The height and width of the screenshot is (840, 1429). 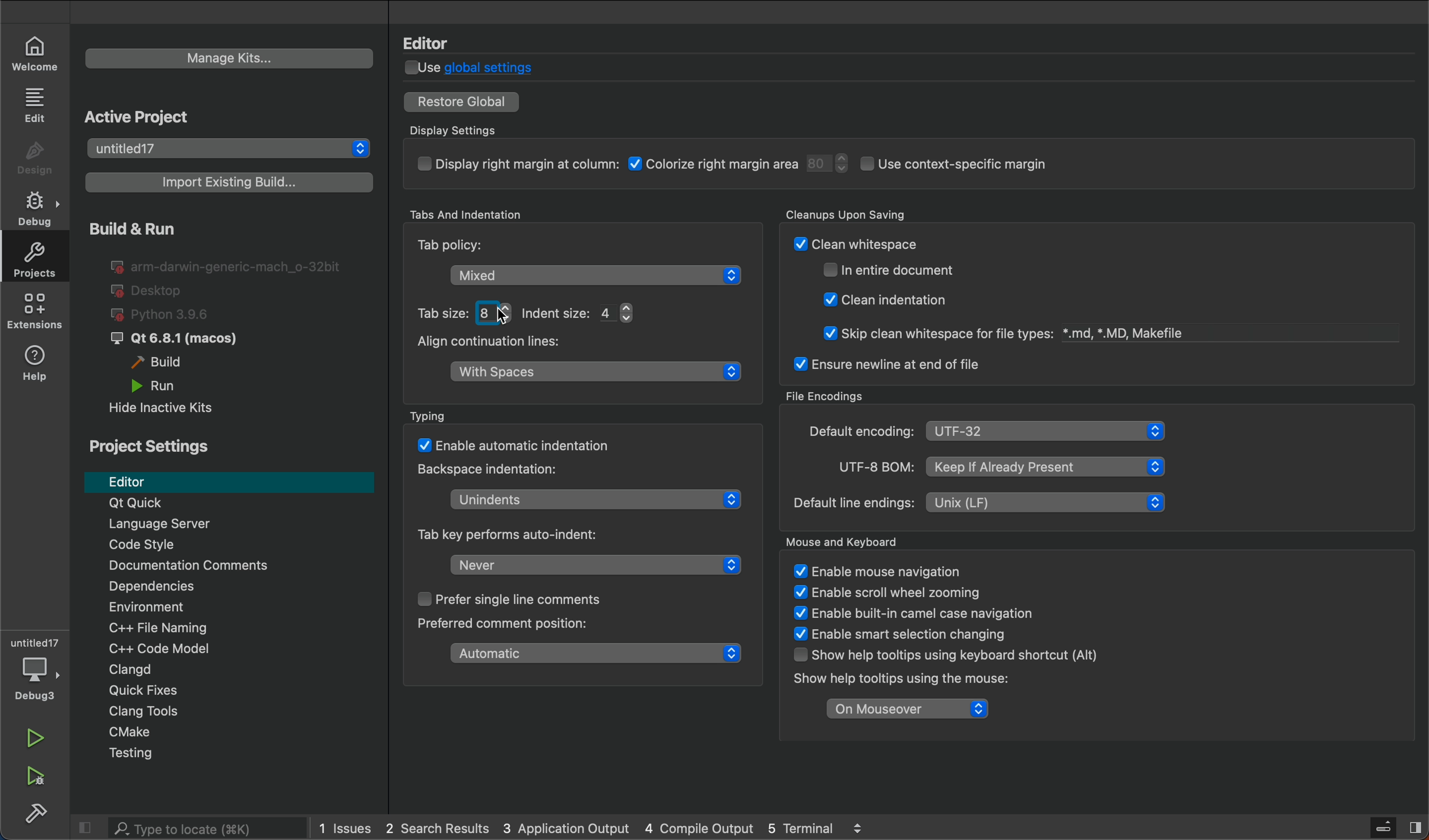 I want to click on issues, so click(x=347, y=827).